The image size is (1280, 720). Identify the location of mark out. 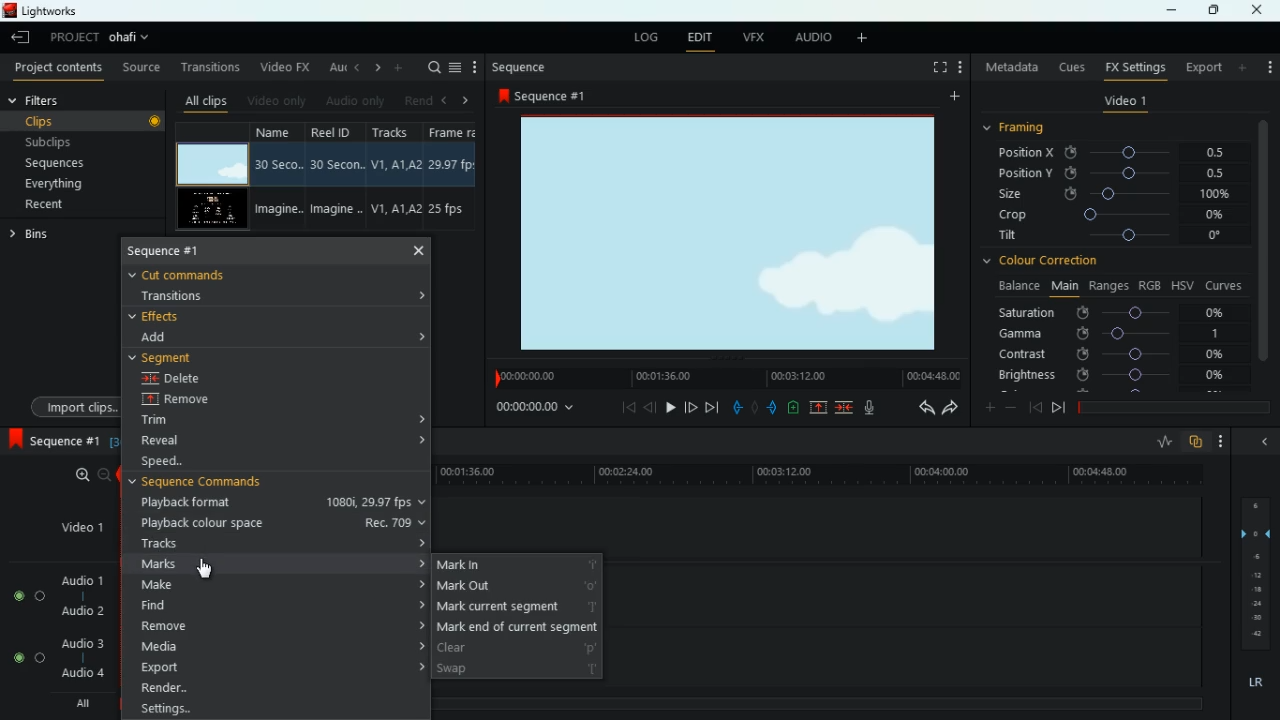
(519, 586).